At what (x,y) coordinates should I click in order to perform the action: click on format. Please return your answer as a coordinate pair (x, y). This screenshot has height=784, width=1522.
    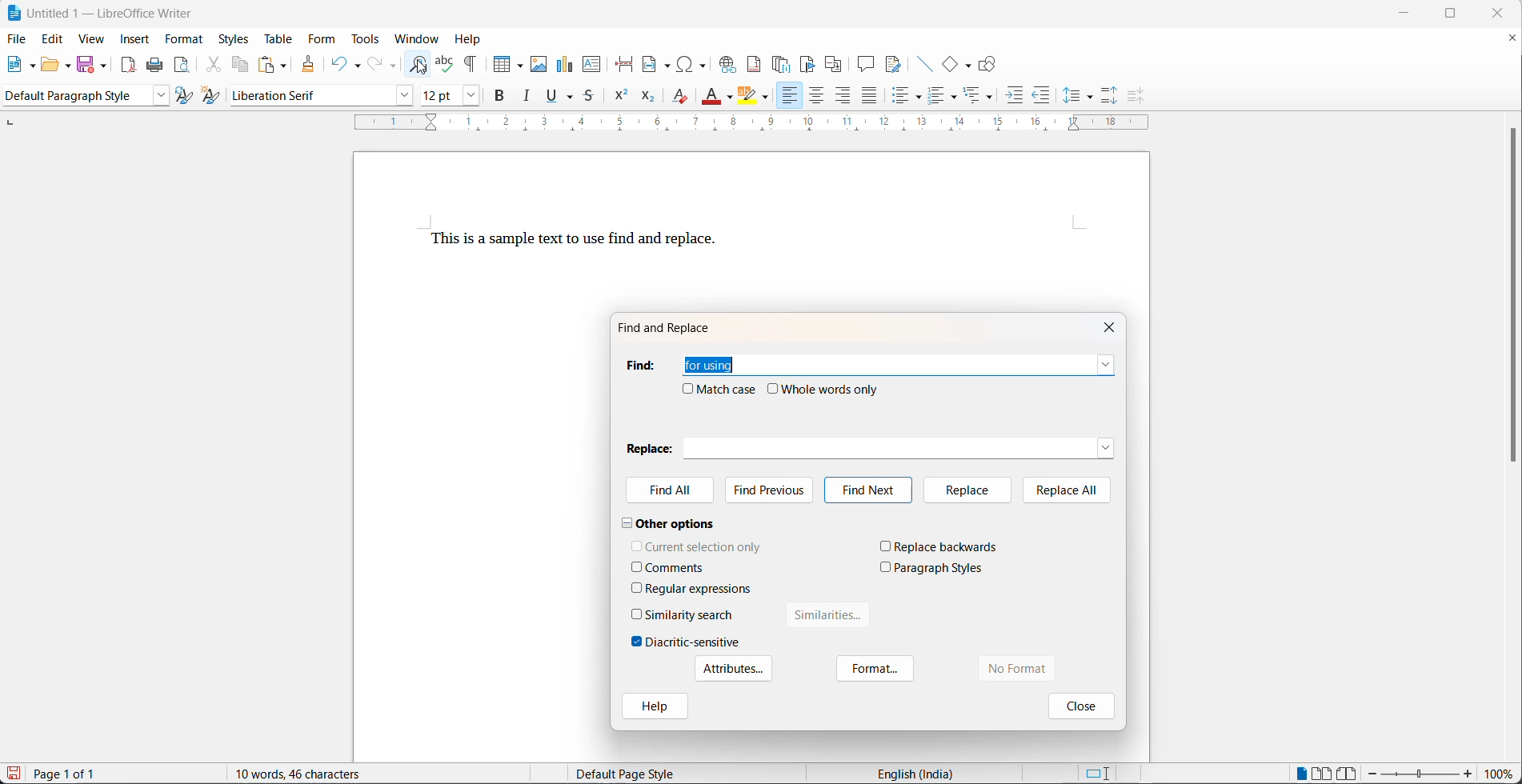
    Looking at the image, I should click on (186, 40).